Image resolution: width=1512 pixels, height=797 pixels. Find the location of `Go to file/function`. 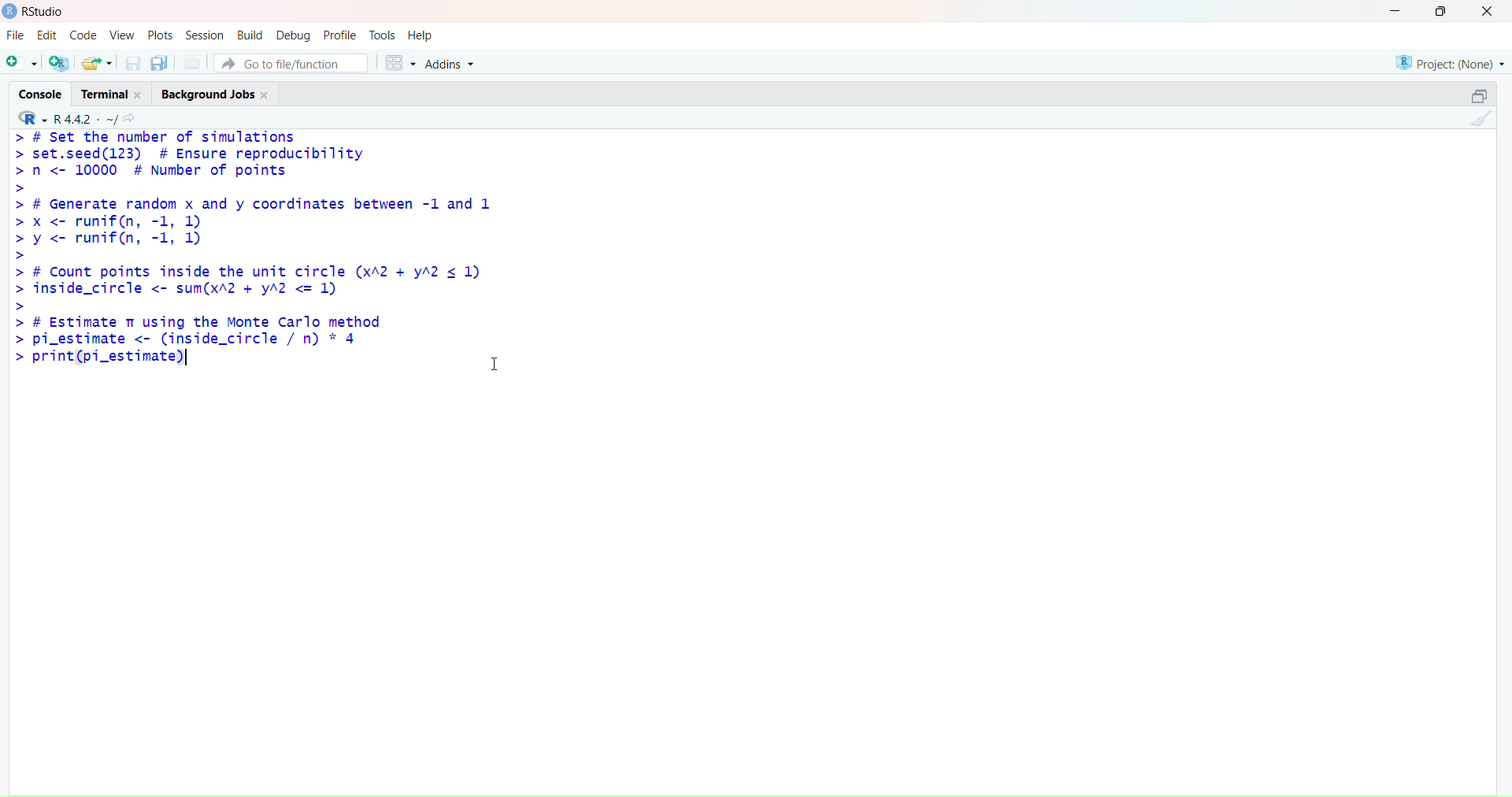

Go to file/function is located at coordinates (295, 64).